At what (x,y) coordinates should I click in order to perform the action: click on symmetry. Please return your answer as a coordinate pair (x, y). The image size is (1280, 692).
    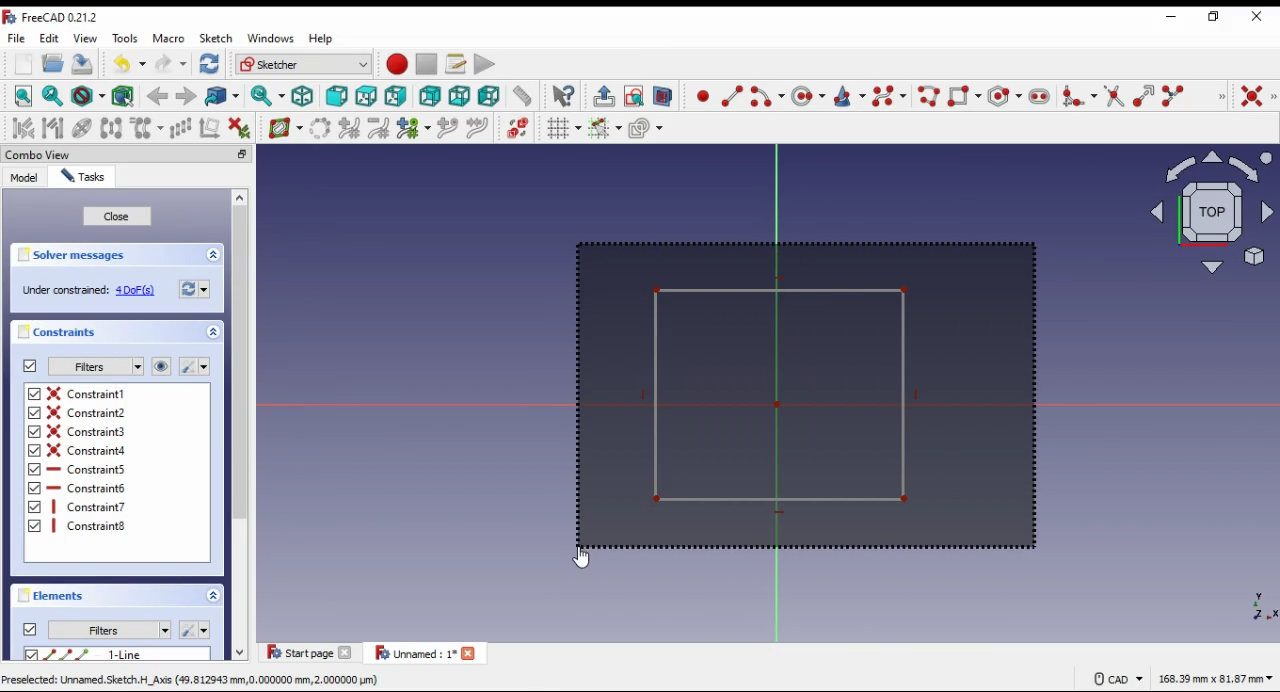
    Looking at the image, I should click on (113, 129).